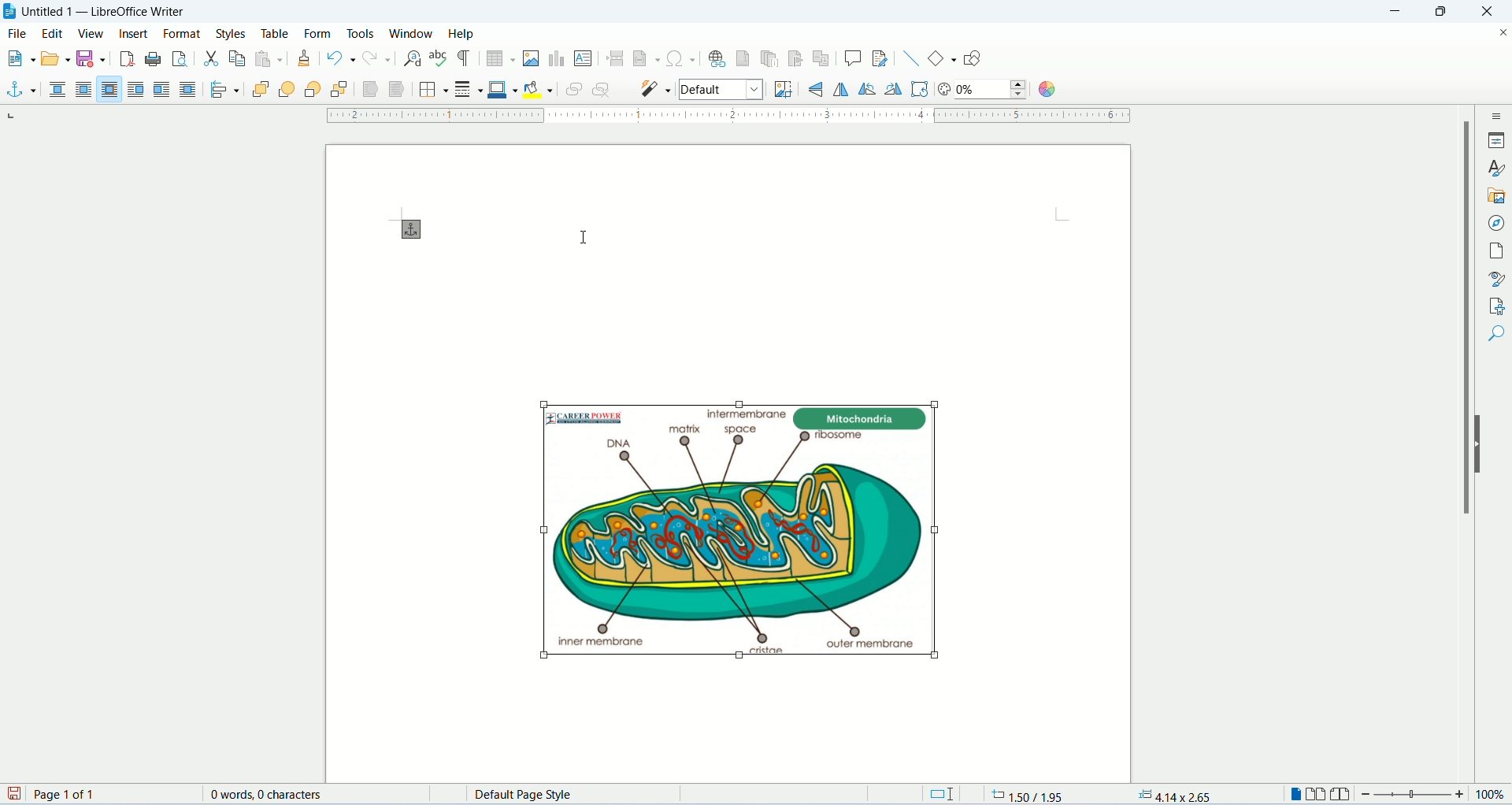 The width and height of the screenshot is (1512, 805). Describe the element at coordinates (1498, 278) in the screenshot. I see `style inspector` at that location.